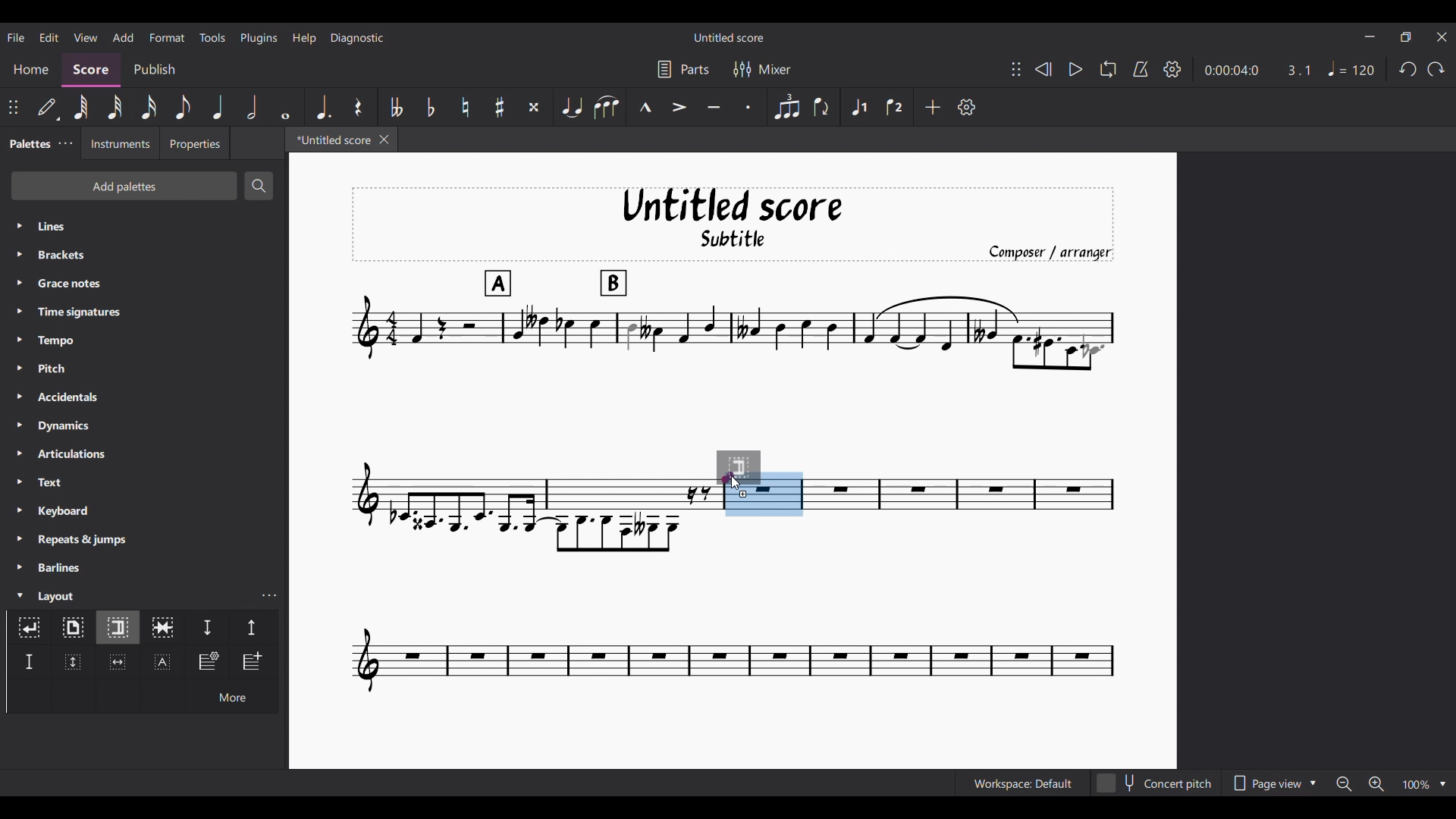 This screenshot has width=1456, height=819. What do you see at coordinates (1370, 36) in the screenshot?
I see `Minimize` at bounding box center [1370, 36].